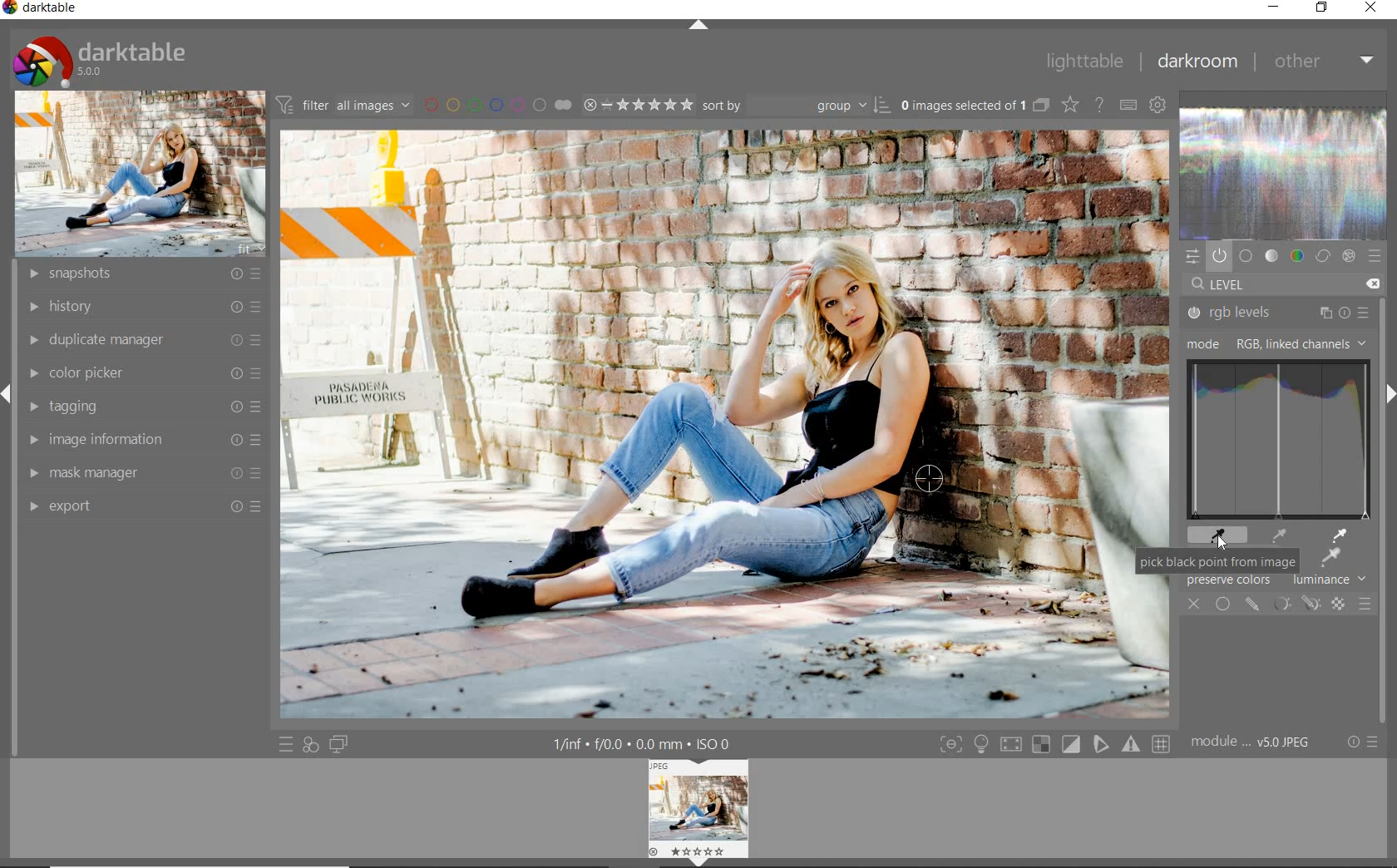 The height and width of the screenshot is (868, 1397). I want to click on snapshots, so click(143, 274).